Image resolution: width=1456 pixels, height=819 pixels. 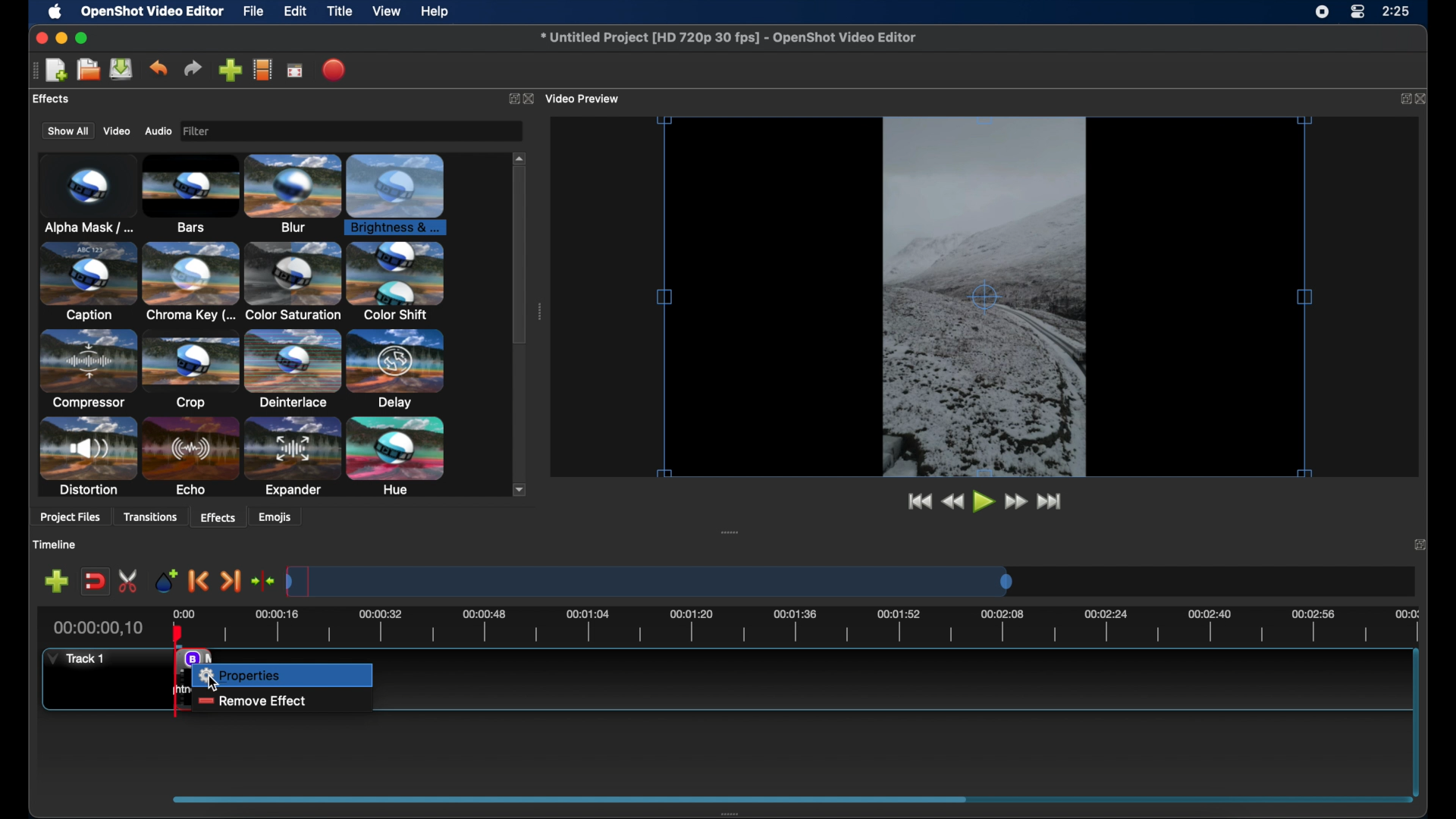 I want to click on drag handle, so click(x=541, y=312).